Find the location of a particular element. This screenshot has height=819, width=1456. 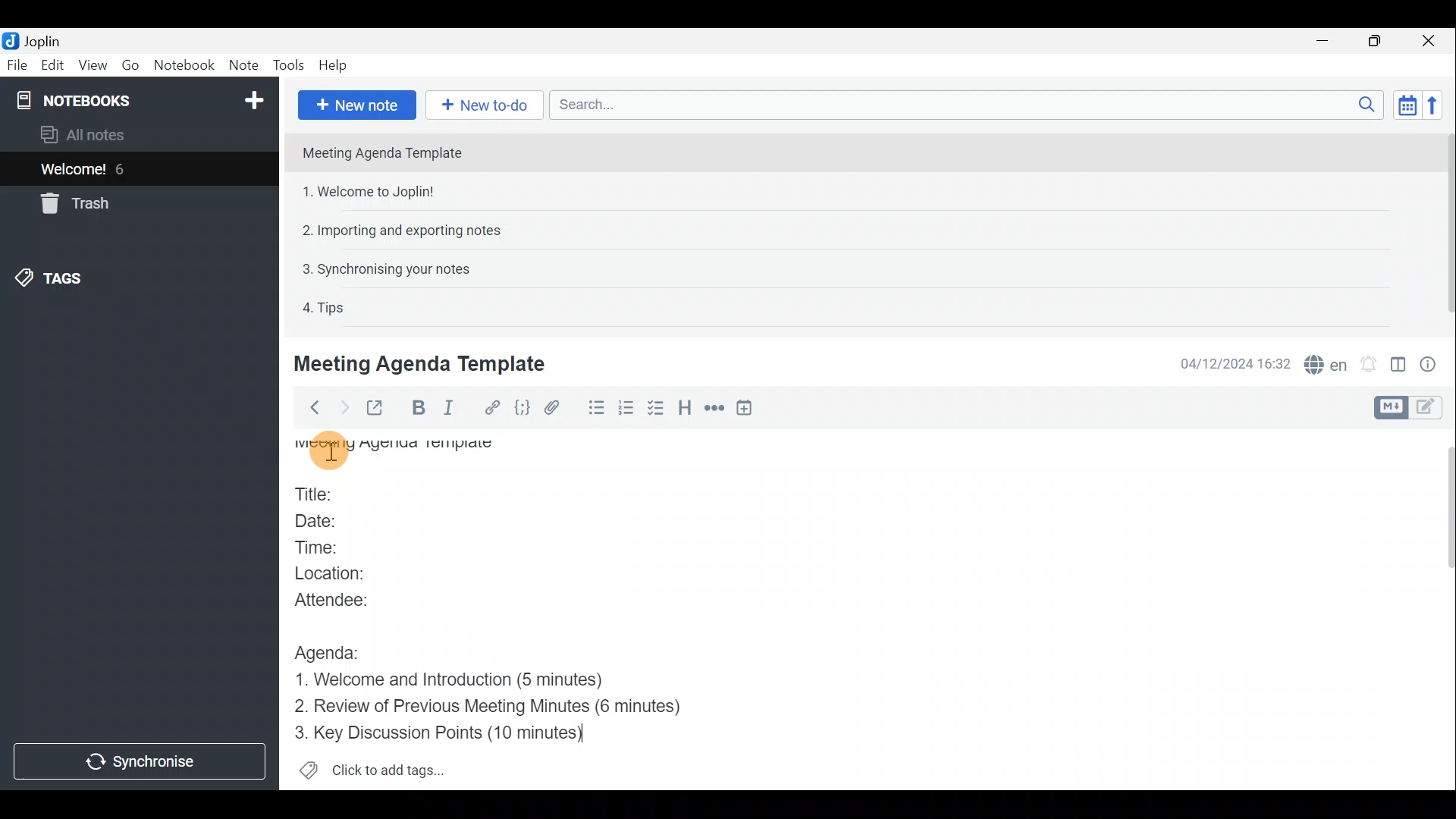

Note is located at coordinates (242, 62).